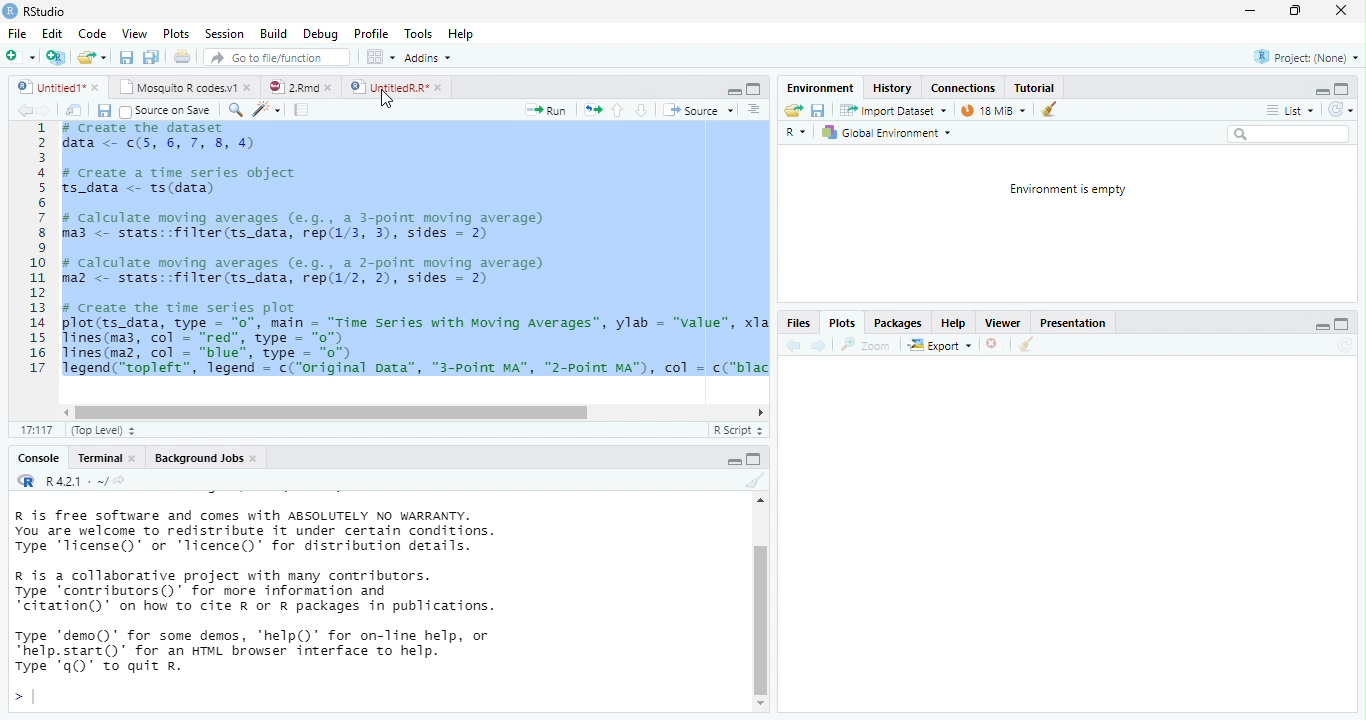  What do you see at coordinates (379, 57) in the screenshot?
I see `wrokspace pan` at bounding box center [379, 57].